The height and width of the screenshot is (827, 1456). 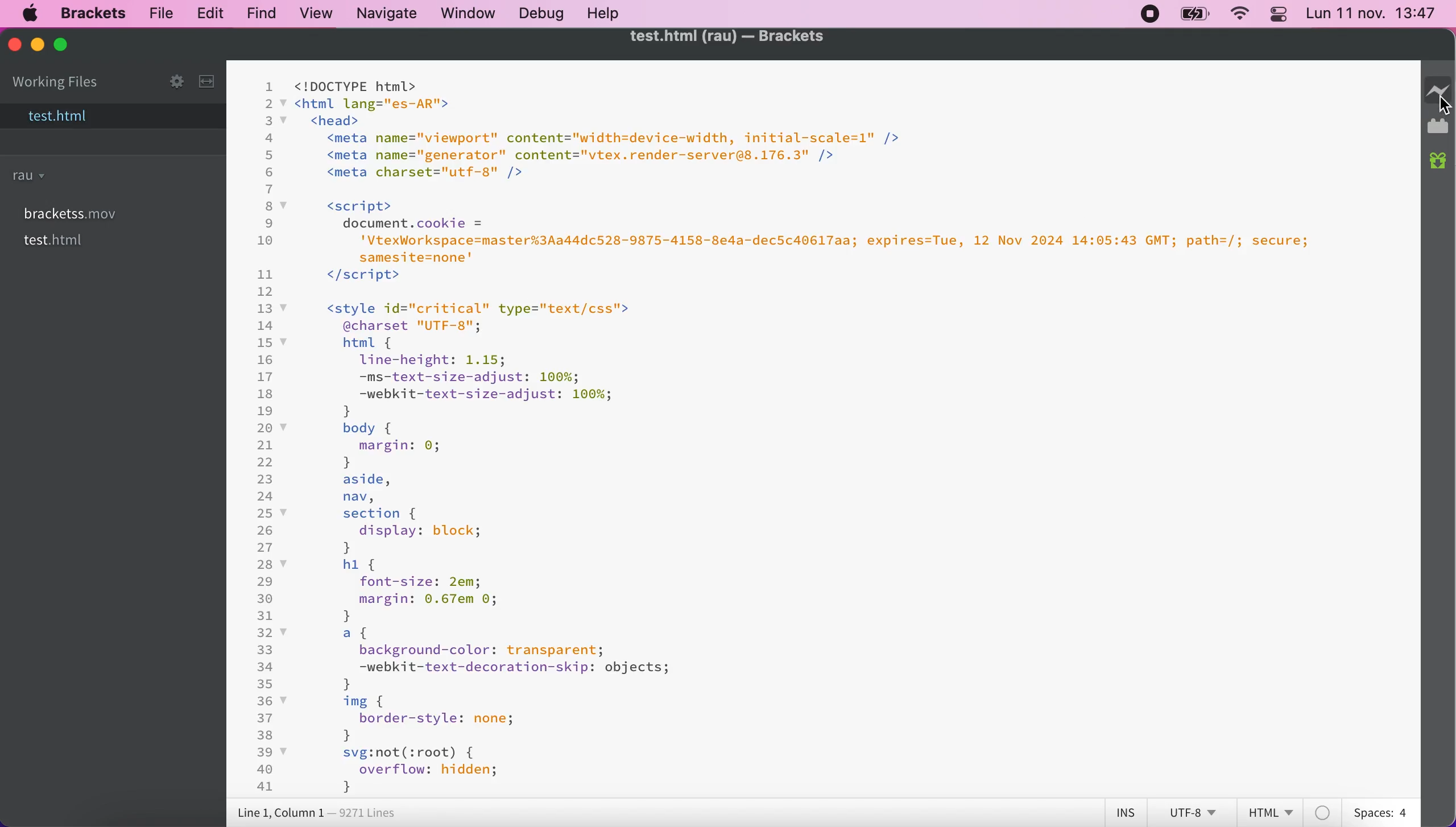 What do you see at coordinates (1327, 811) in the screenshot?
I see `color` at bounding box center [1327, 811].